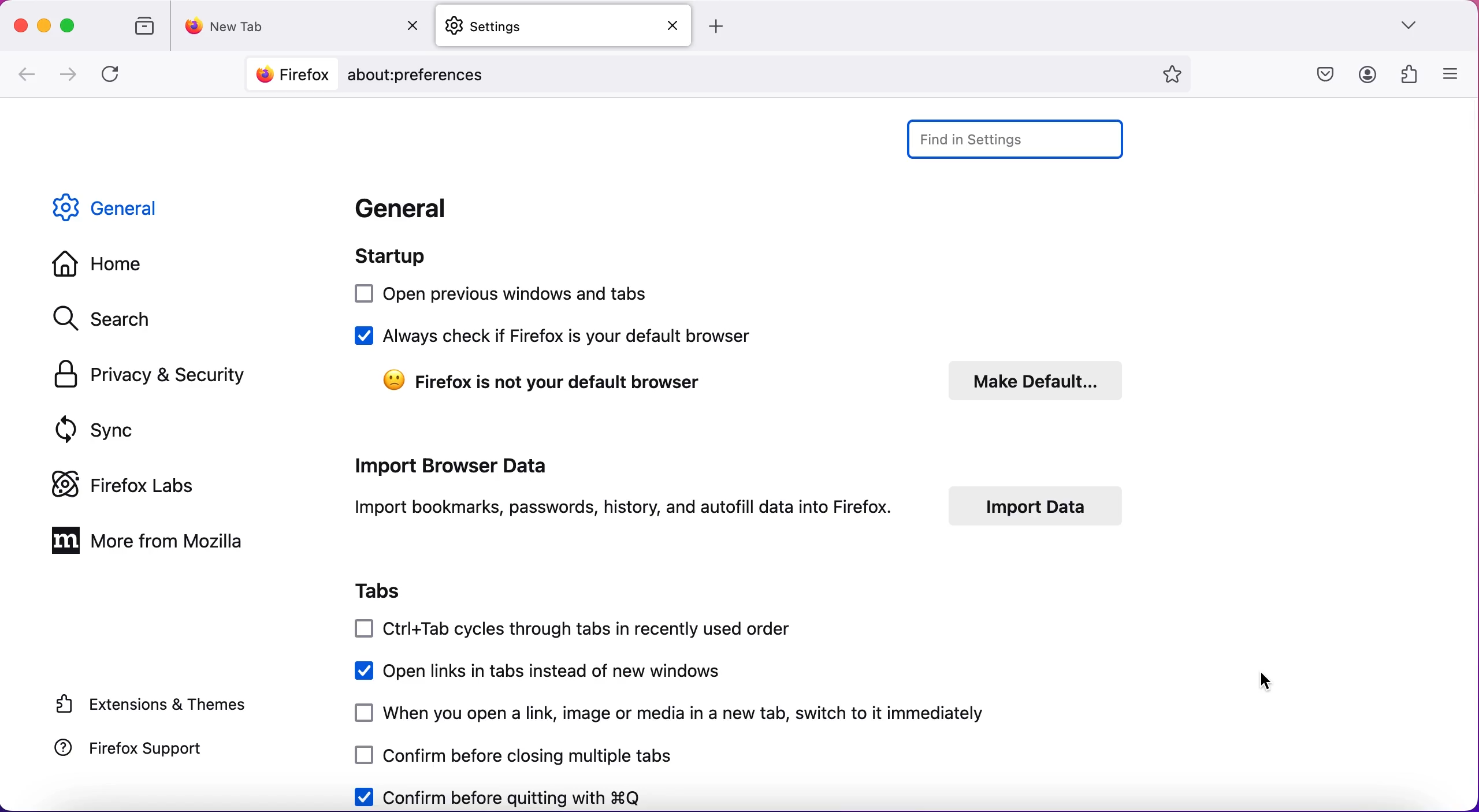 This screenshot has width=1479, height=812. Describe the element at coordinates (692, 713) in the screenshot. I see `when you open a link, image or media in a new tab, switch to it immediately` at that location.